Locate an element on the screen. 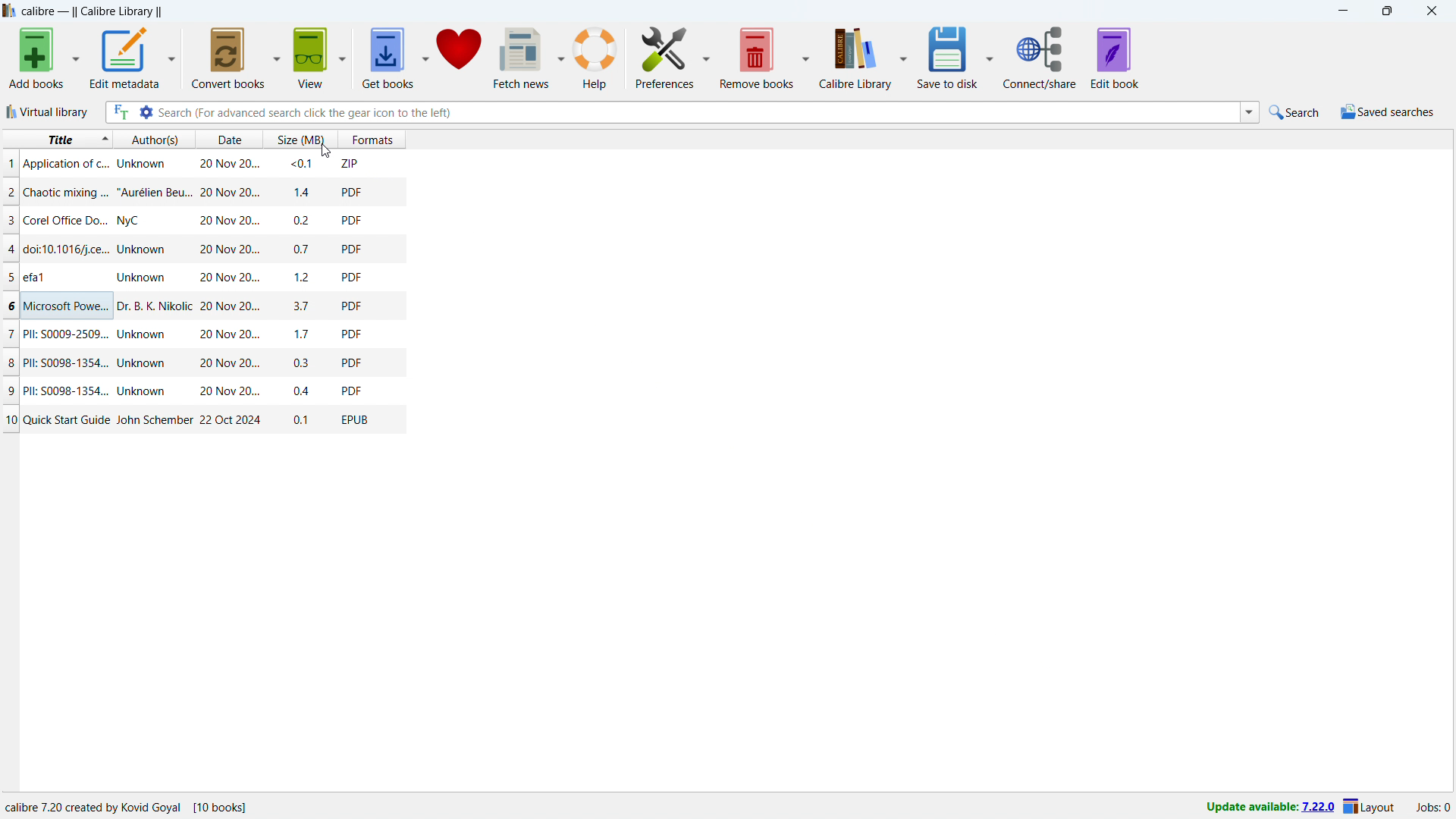 The image size is (1456, 819). size is located at coordinates (304, 420).